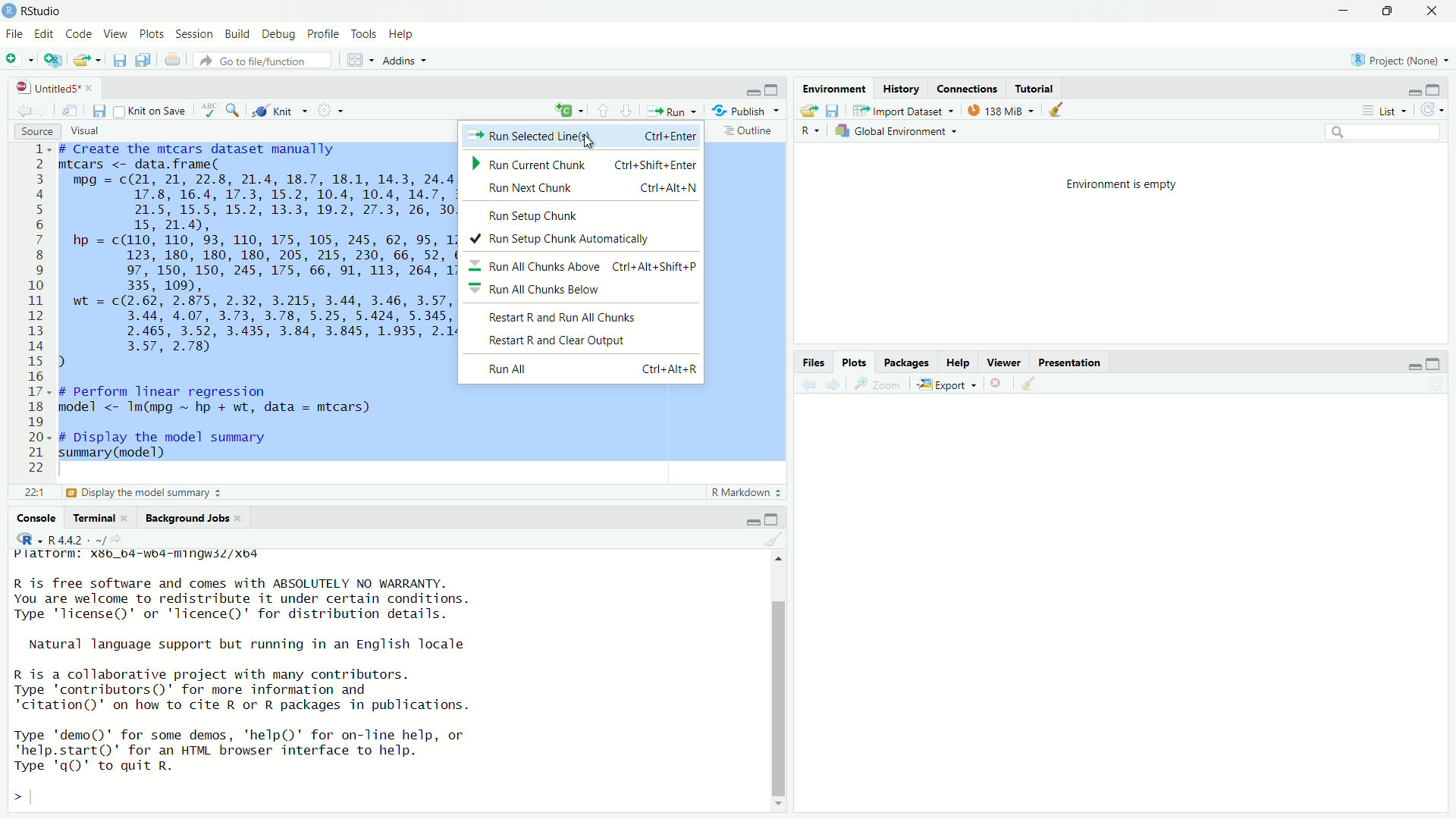 This screenshot has height=819, width=1456. What do you see at coordinates (236, 34) in the screenshot?
I see `build` at bounding box center [236, 34].